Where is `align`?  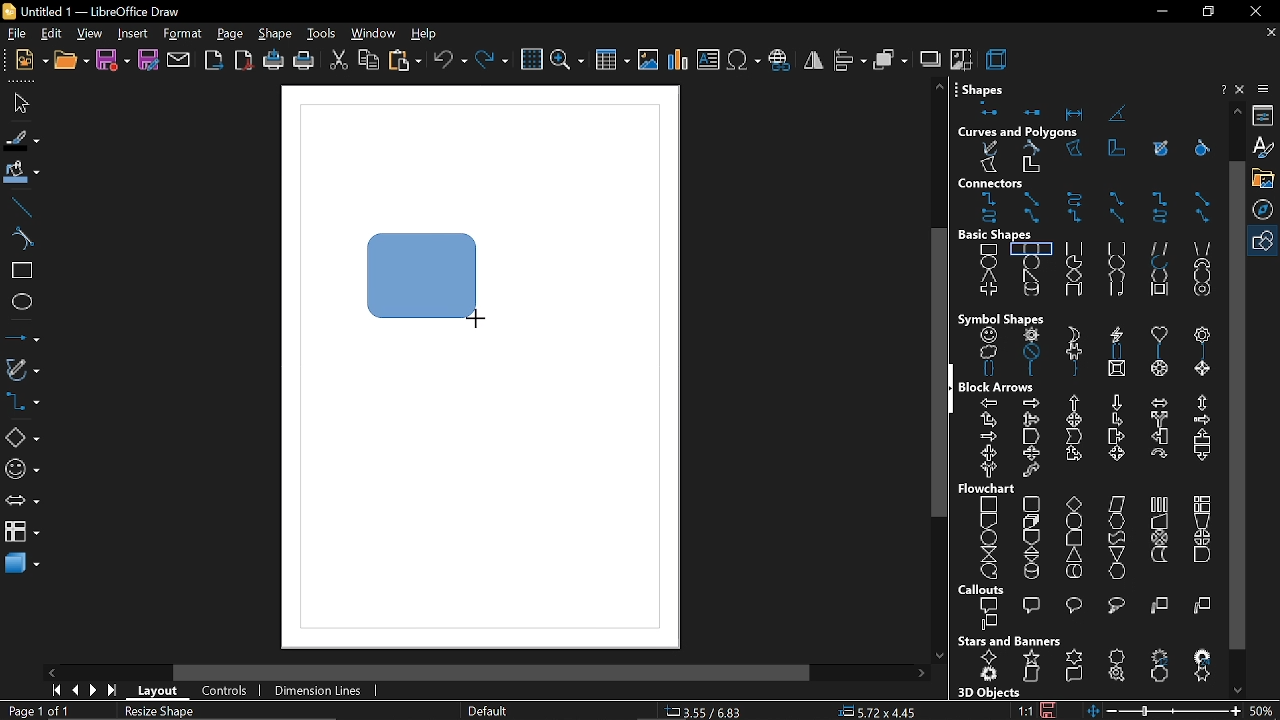 align is located at coordinates (851, 59).